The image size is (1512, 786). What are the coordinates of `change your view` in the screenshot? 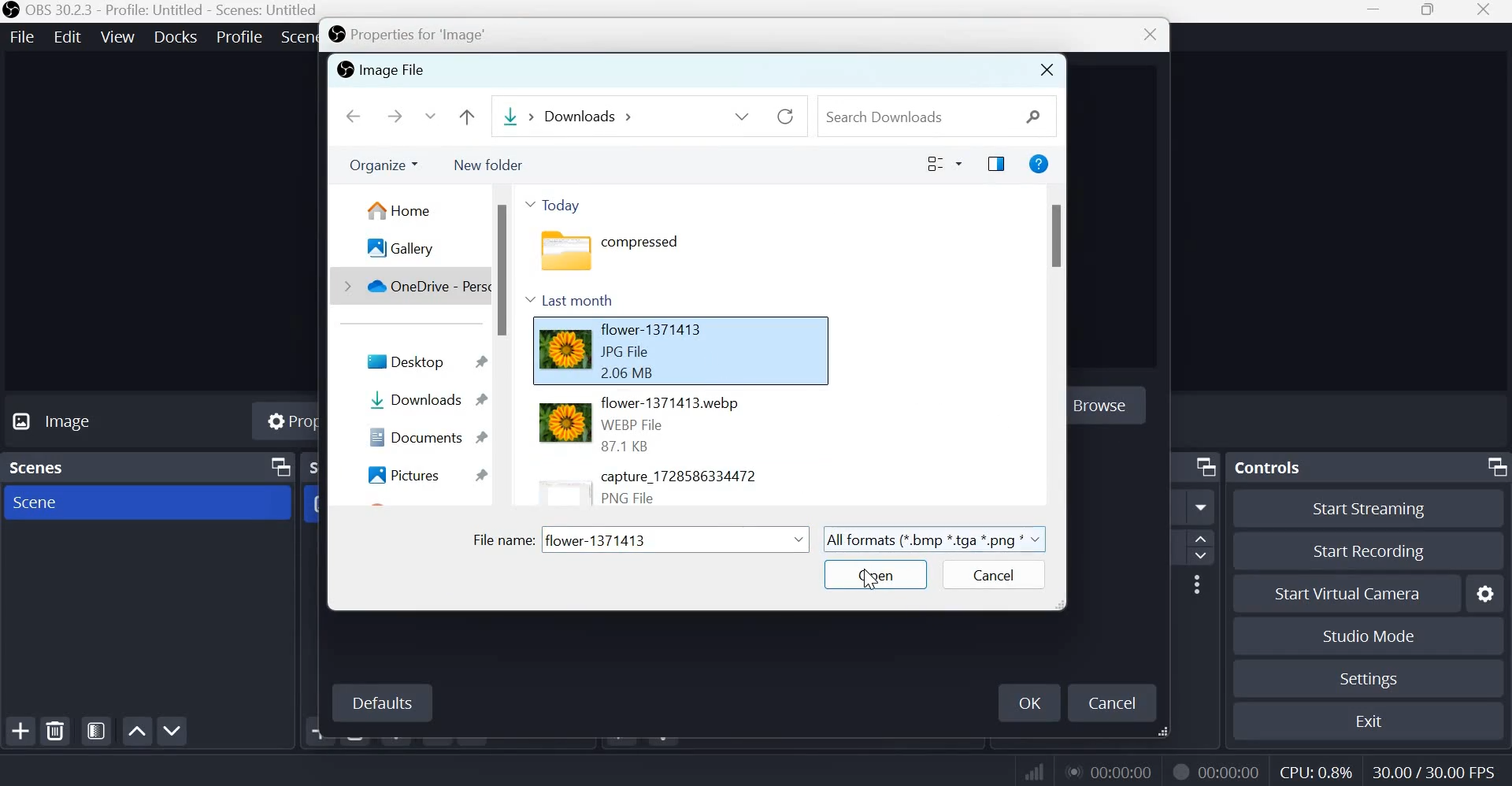 It's located at (946, 164).